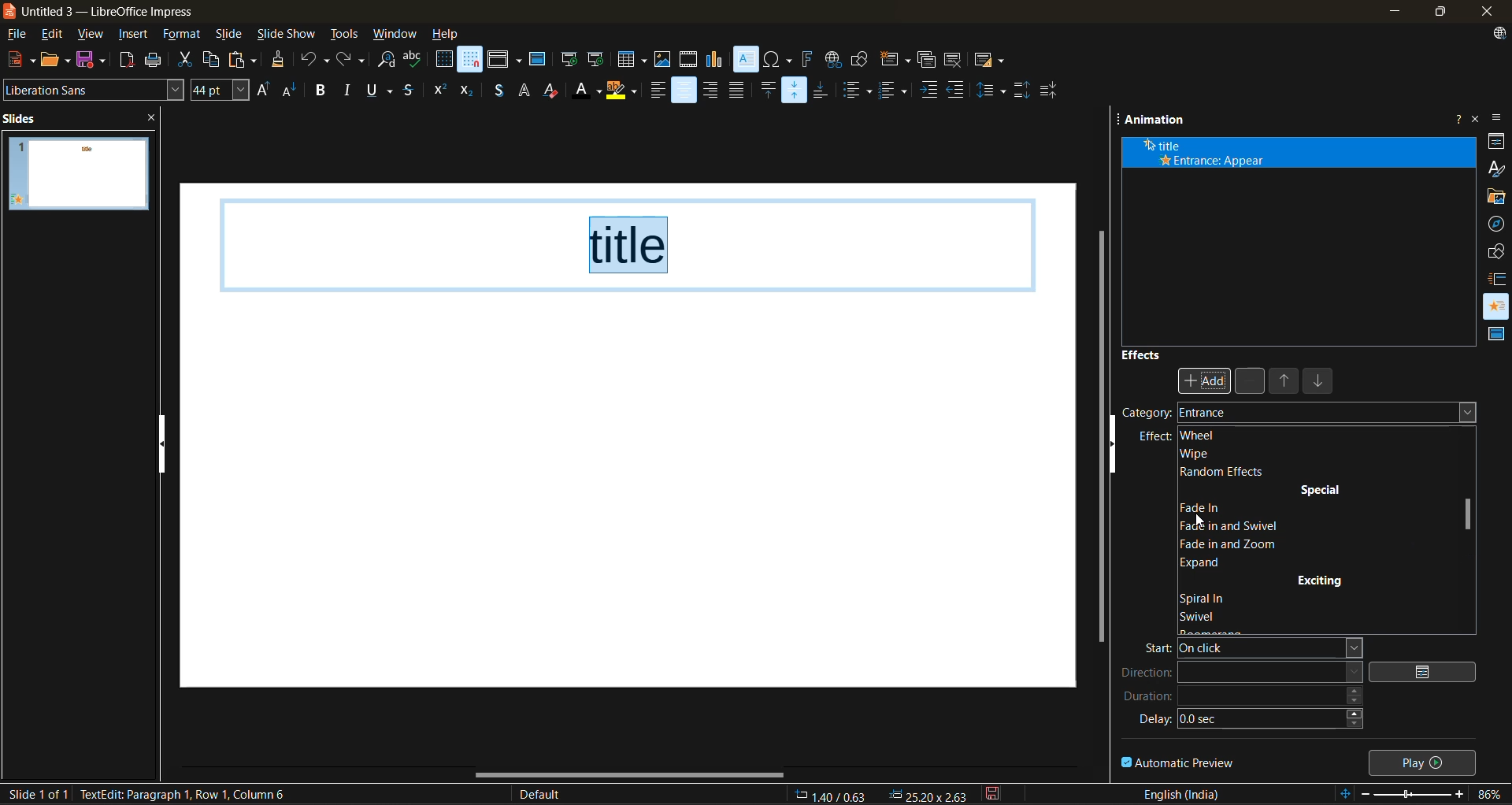 This screenshot has width=1512, height=805. Describe the element at coordinates (350, 88) in the screenshot. I see `italic` at that location.